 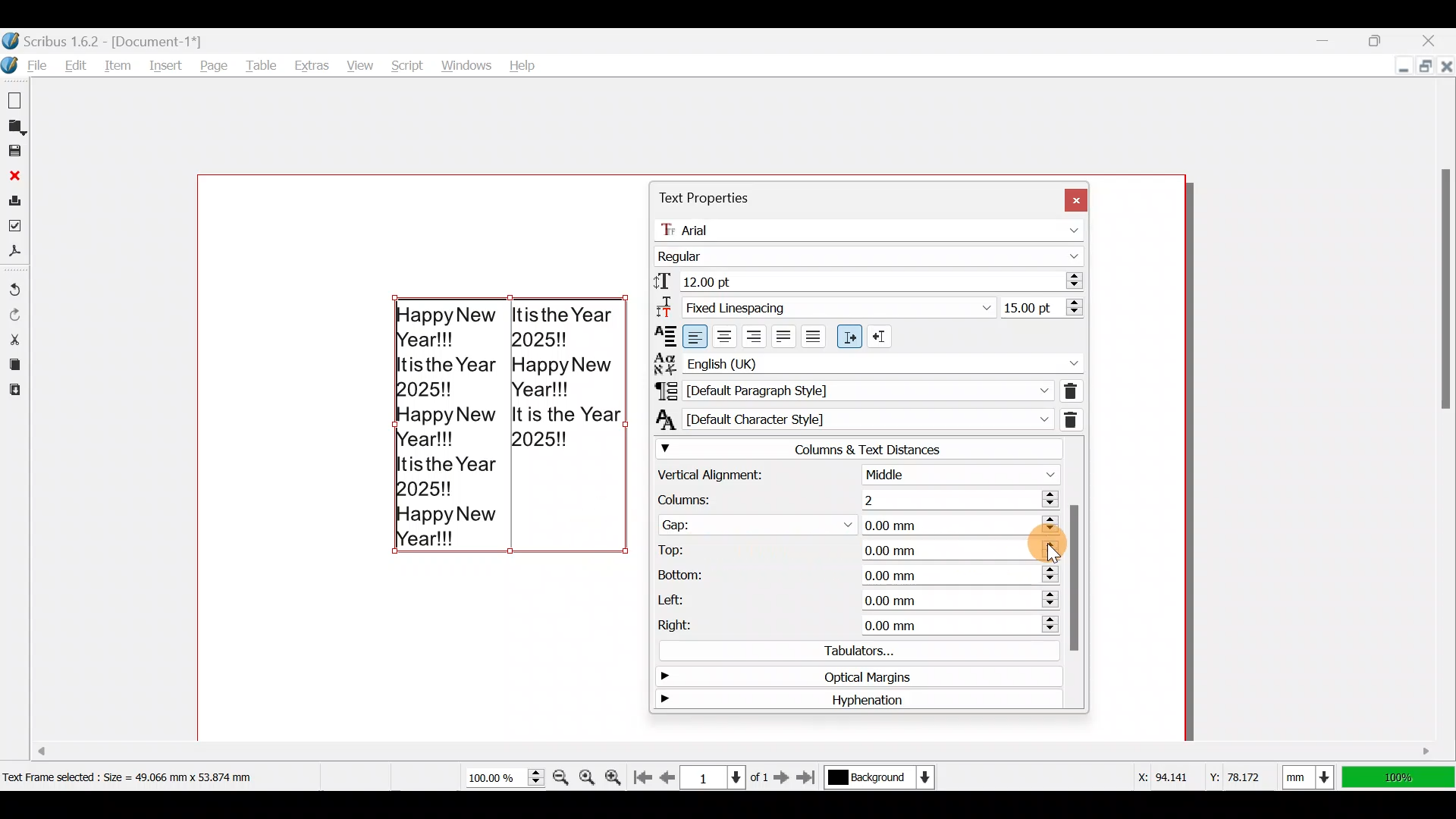 I want to click on Scroll bar, so click(x=1441, y=423).